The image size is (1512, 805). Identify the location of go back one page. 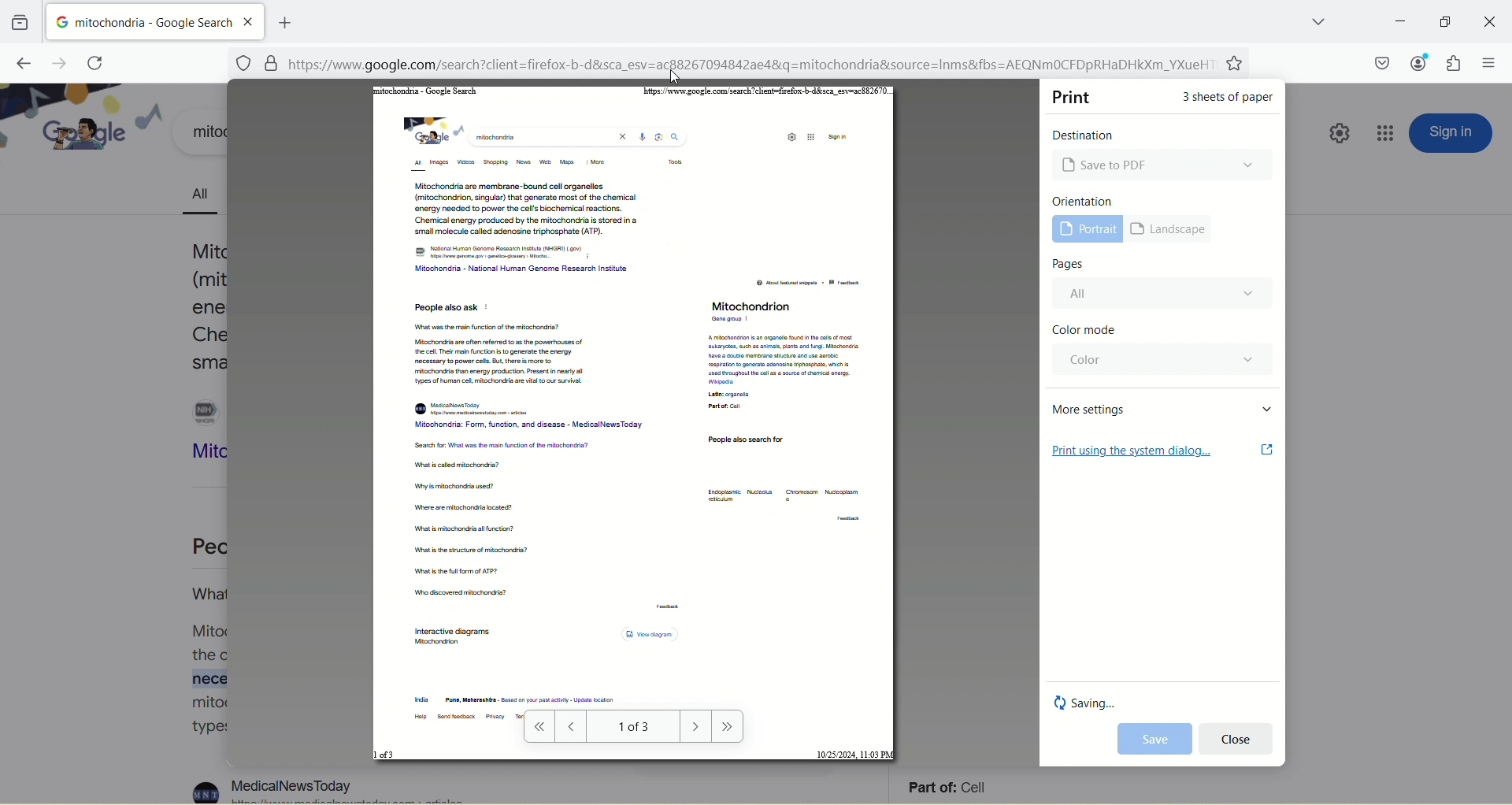
(21, 61).